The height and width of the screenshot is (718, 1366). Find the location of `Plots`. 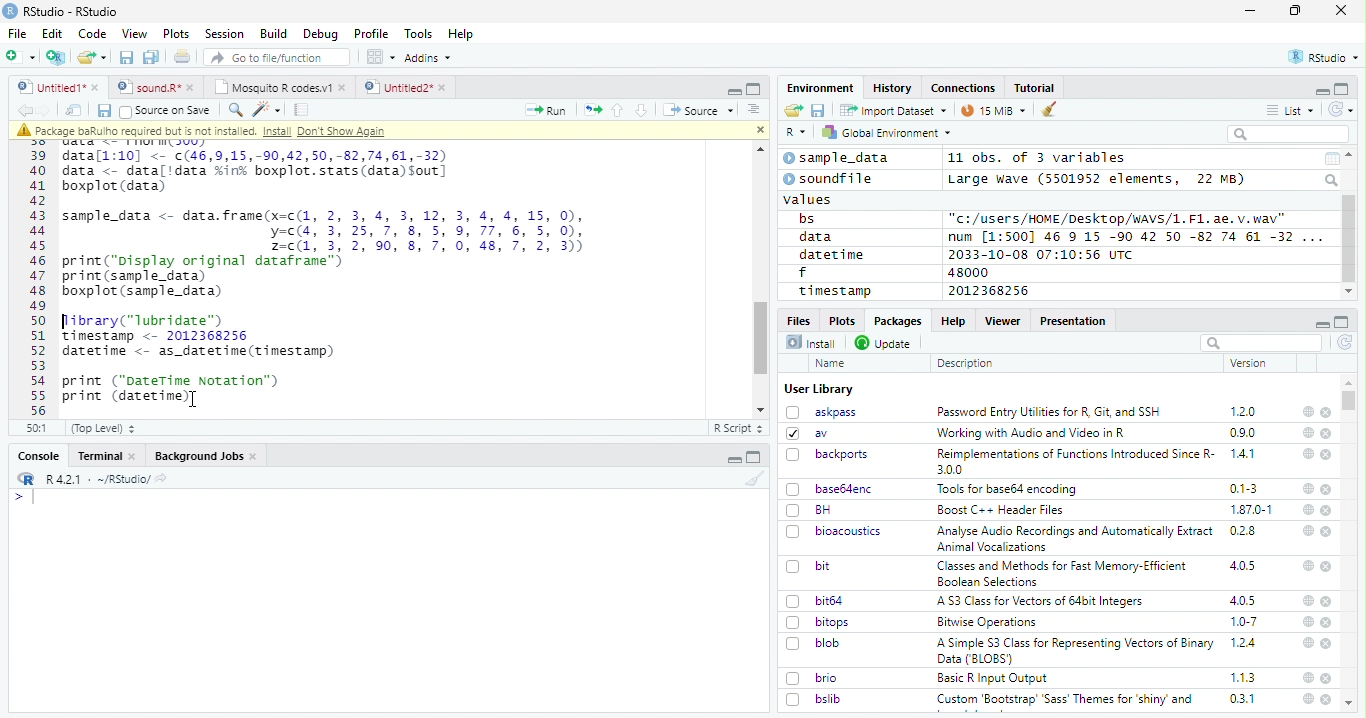

Plots is located at coordinates (176, 34).